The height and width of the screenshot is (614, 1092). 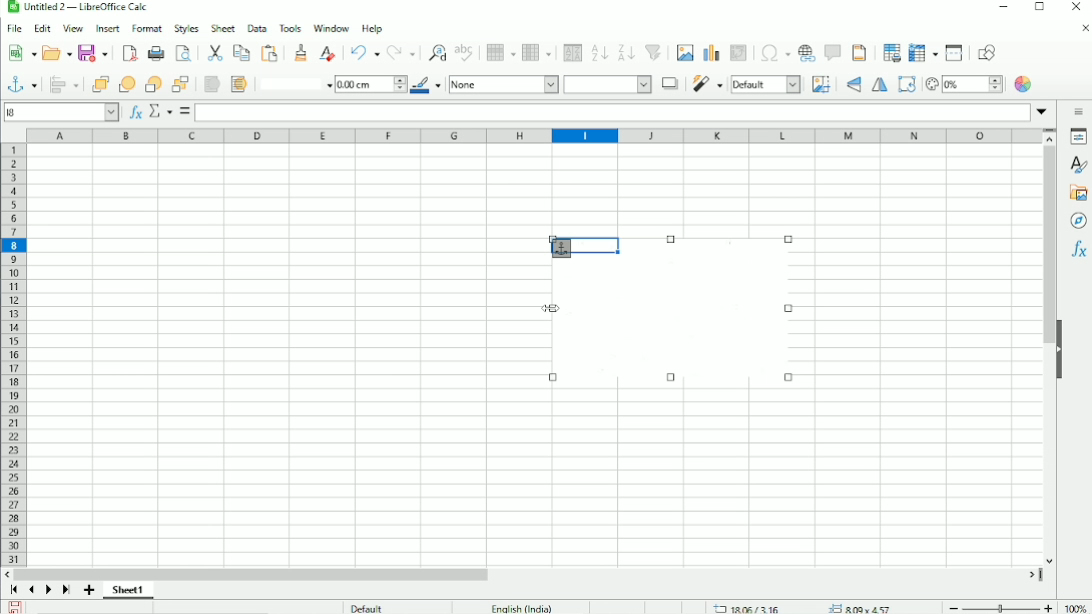 What do you see at coordinates (237, 84) in the screenshot?
I see `To background` at bounding box center [237, 84].